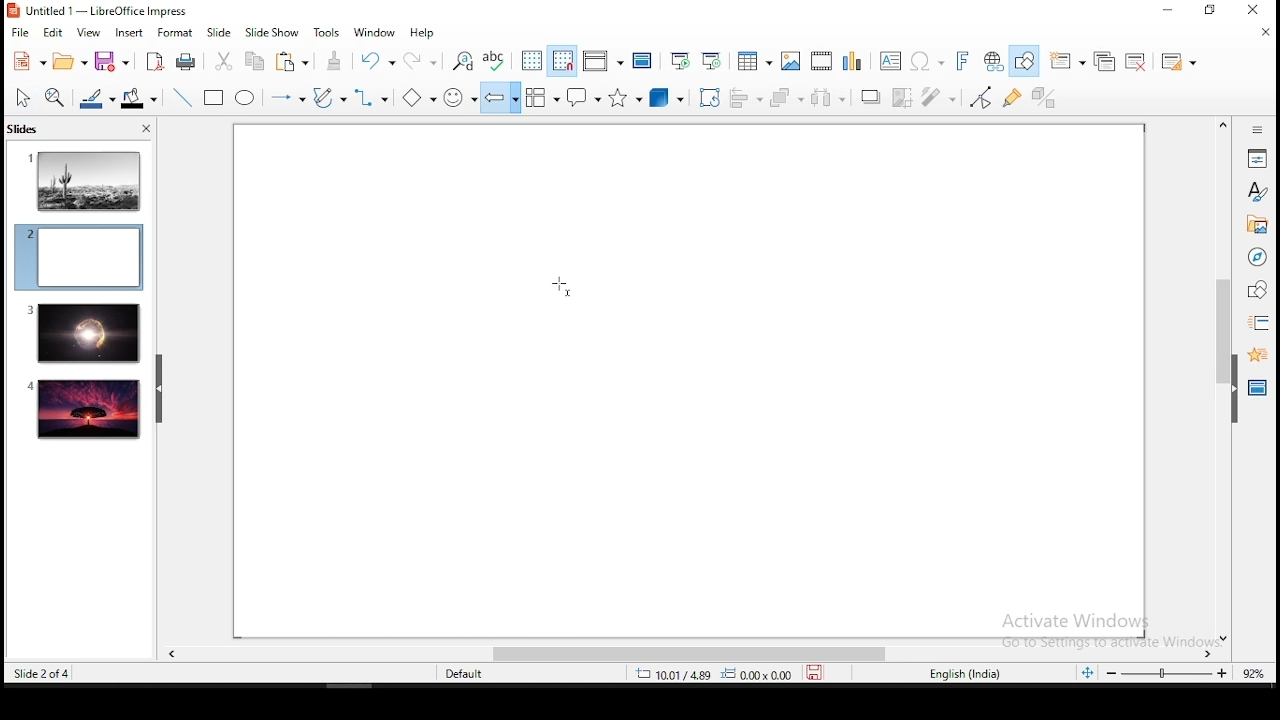 The height and width of the screenshot is (720, 1280). Describe the element at coordinates (1107, 62) in the screenshot. I see `duplicate slide` at that location.